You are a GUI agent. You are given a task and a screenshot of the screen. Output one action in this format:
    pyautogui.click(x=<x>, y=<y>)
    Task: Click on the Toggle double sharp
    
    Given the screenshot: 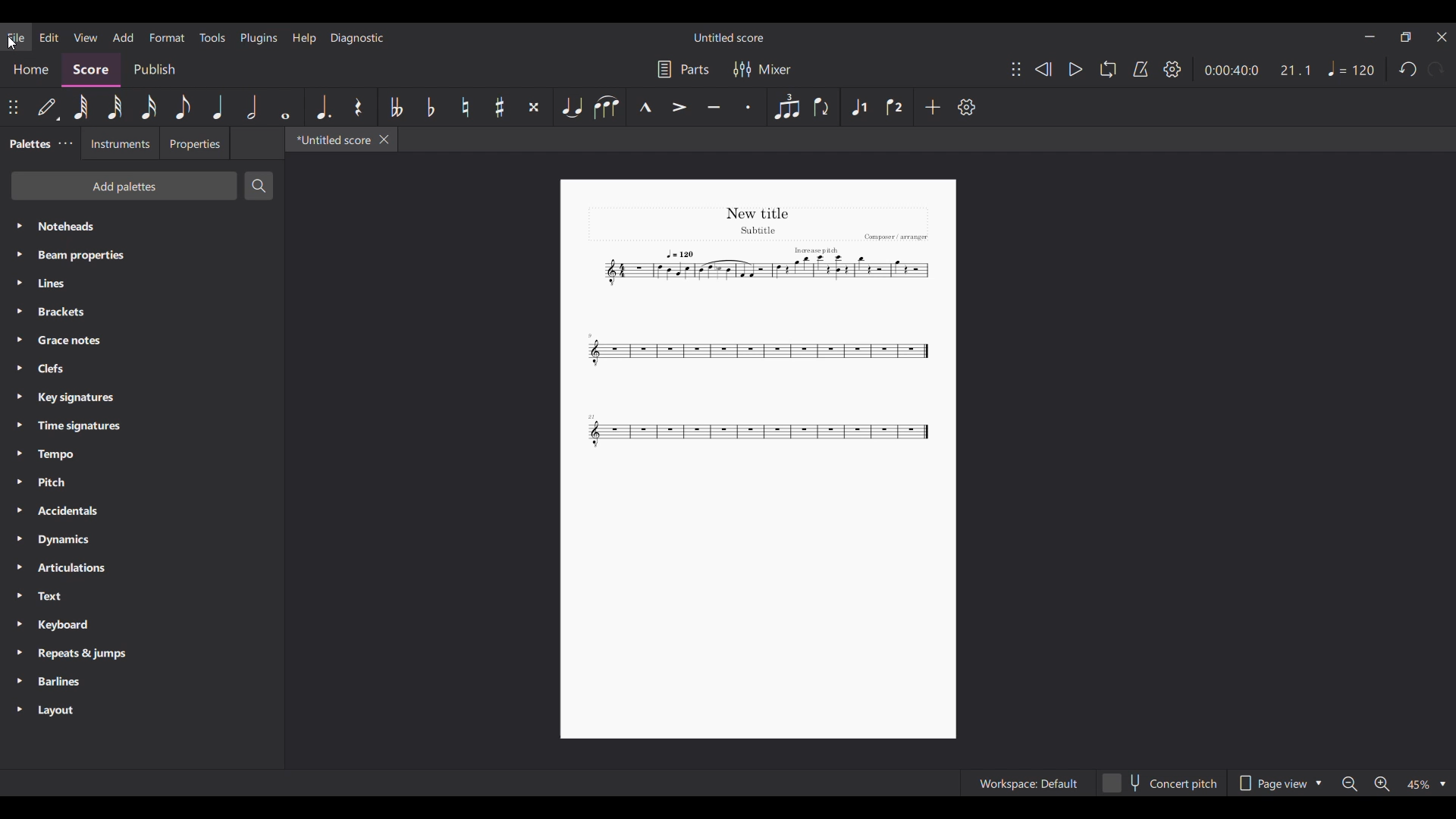 What is the action you would take?
    pyautogui.click(x=534, y=107)
    